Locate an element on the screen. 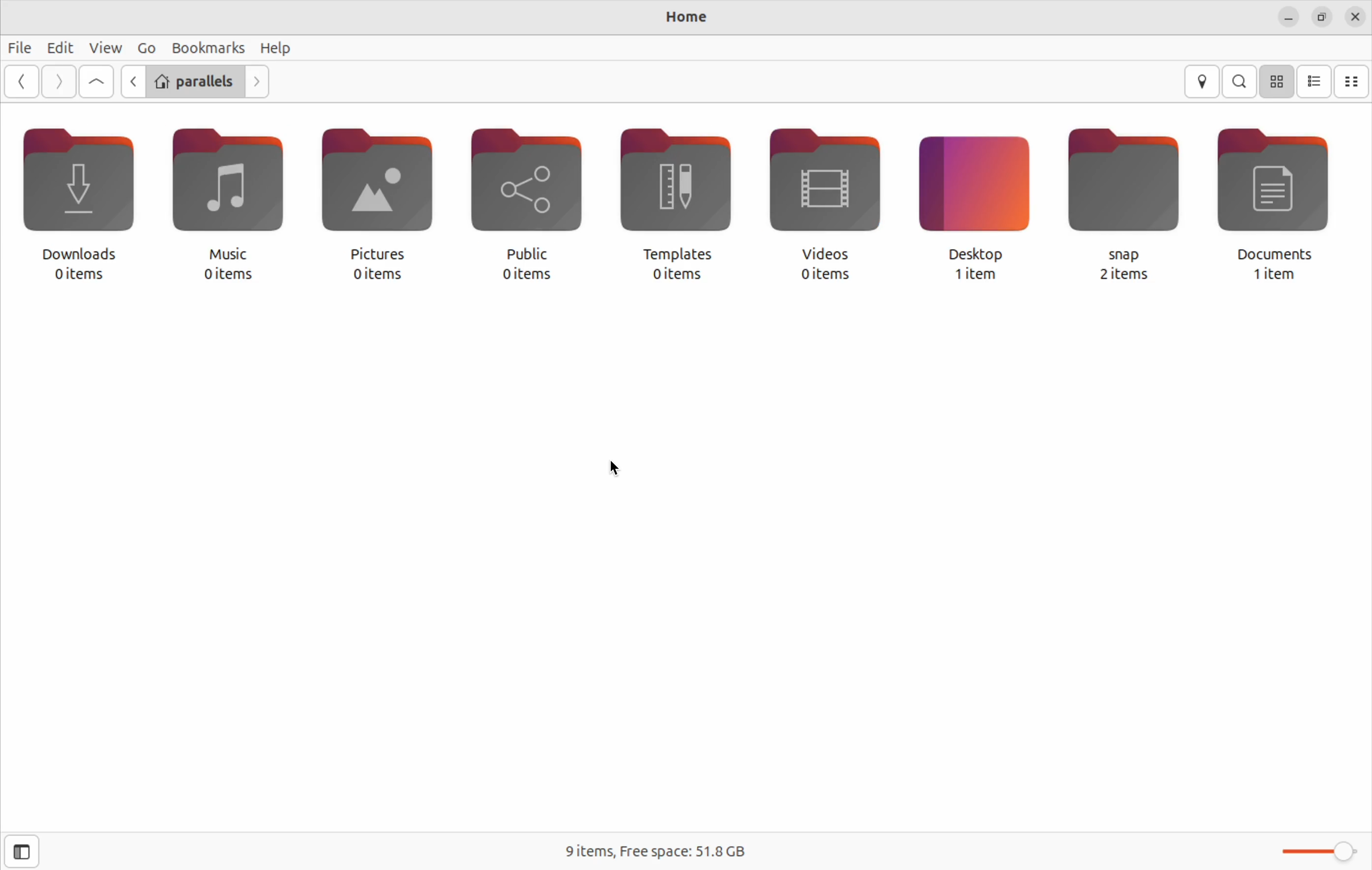 The height and width of the screenshot is (870, 1372). downloads is located at coordinates (84, 205).